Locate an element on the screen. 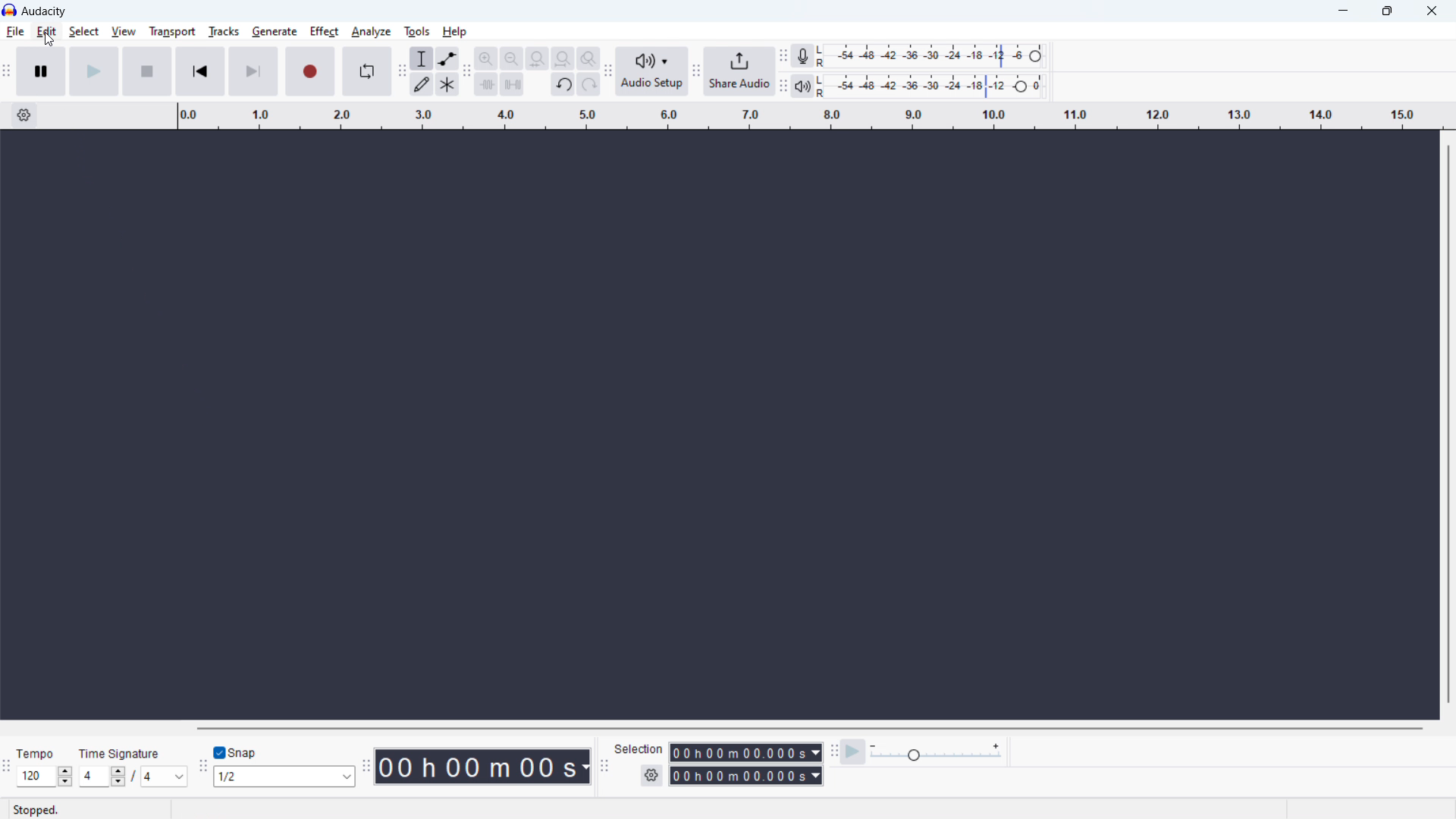 The image size is (1456, 819). start time duration is located at coordinates (736, 752).